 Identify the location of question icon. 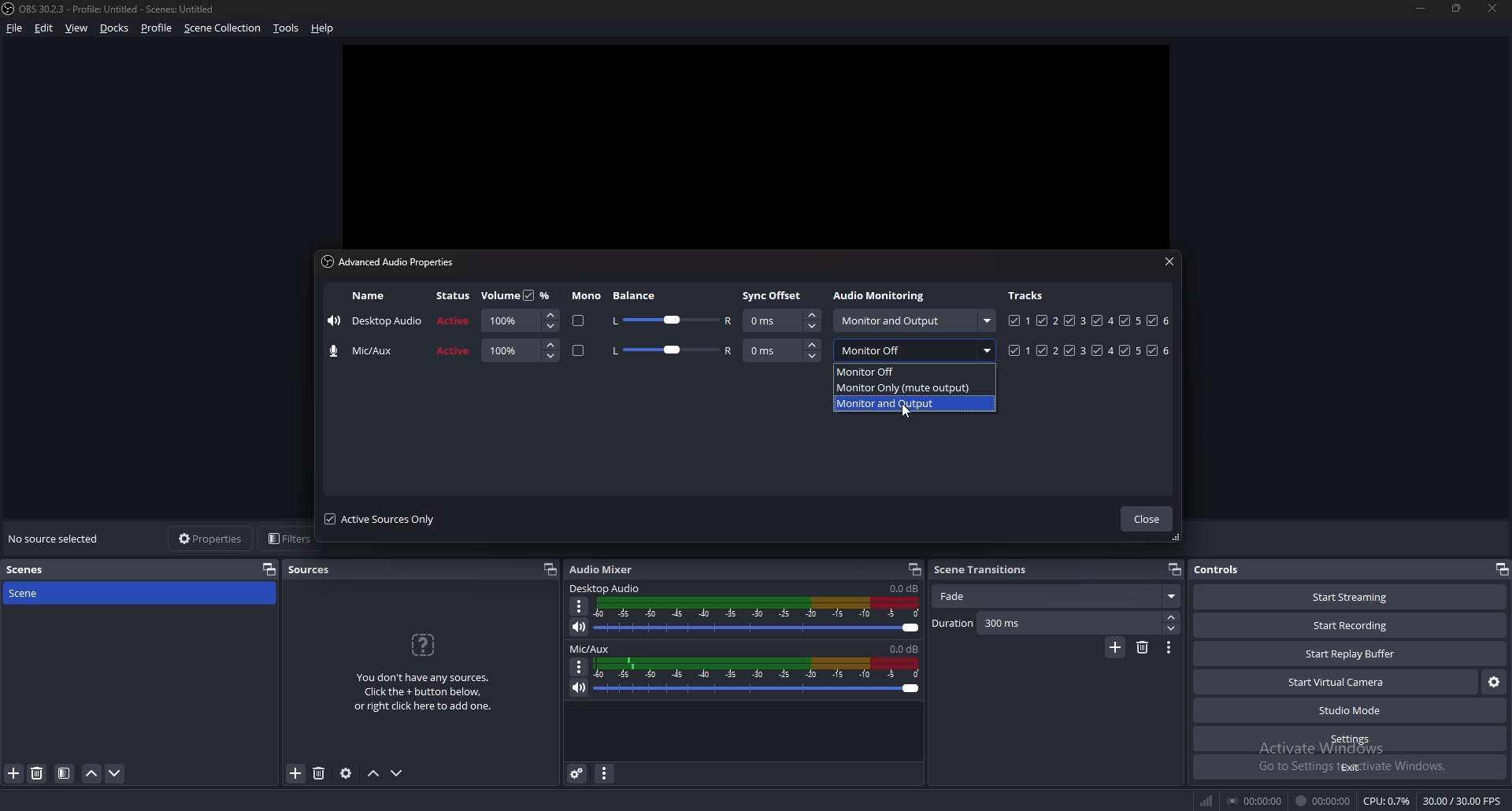
(423, 645).